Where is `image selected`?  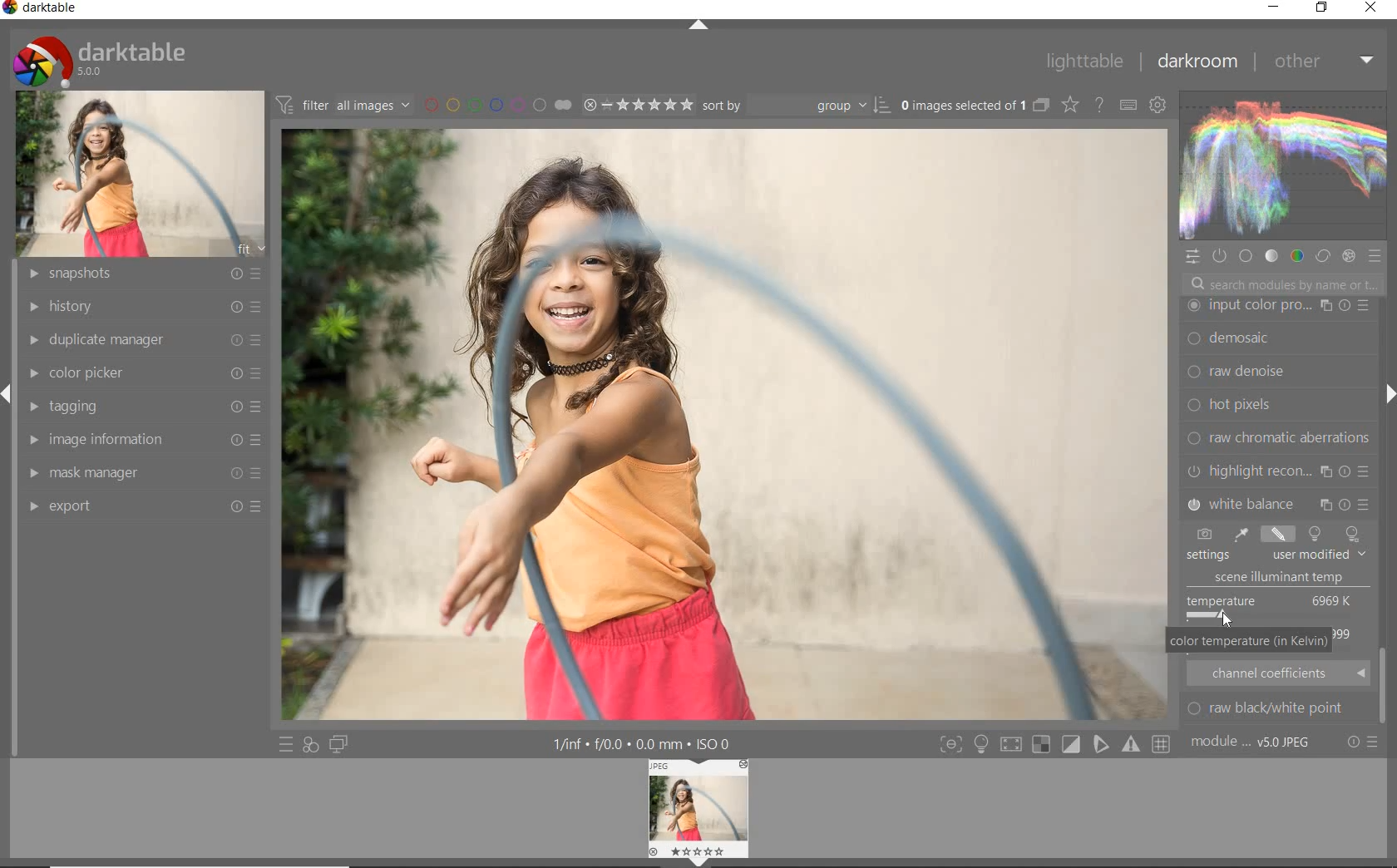
image selected is located at coordinates (724, 426).